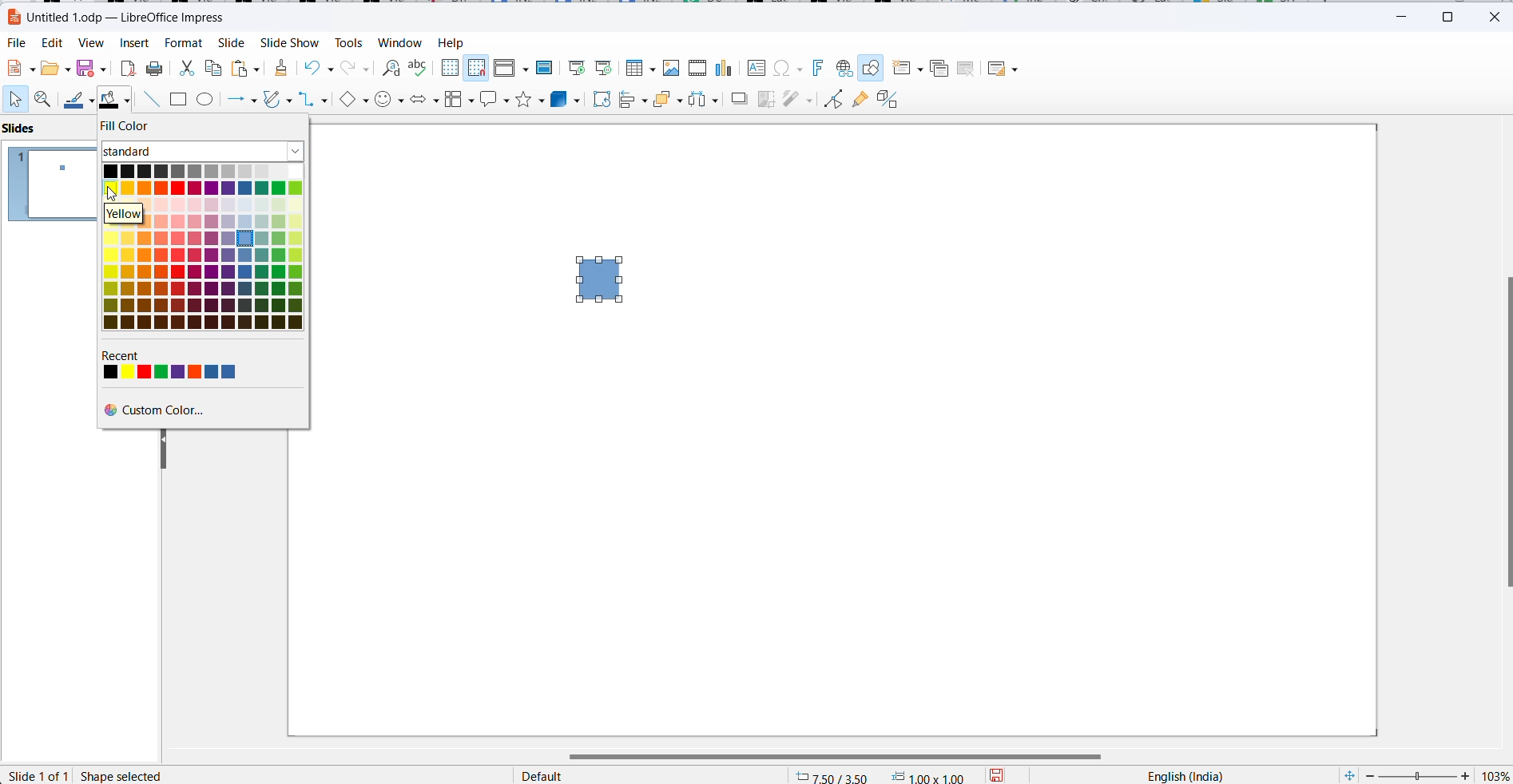  Describe the element at coordinates (129, 125) in the screenshot. I see `fill color label` at that location.